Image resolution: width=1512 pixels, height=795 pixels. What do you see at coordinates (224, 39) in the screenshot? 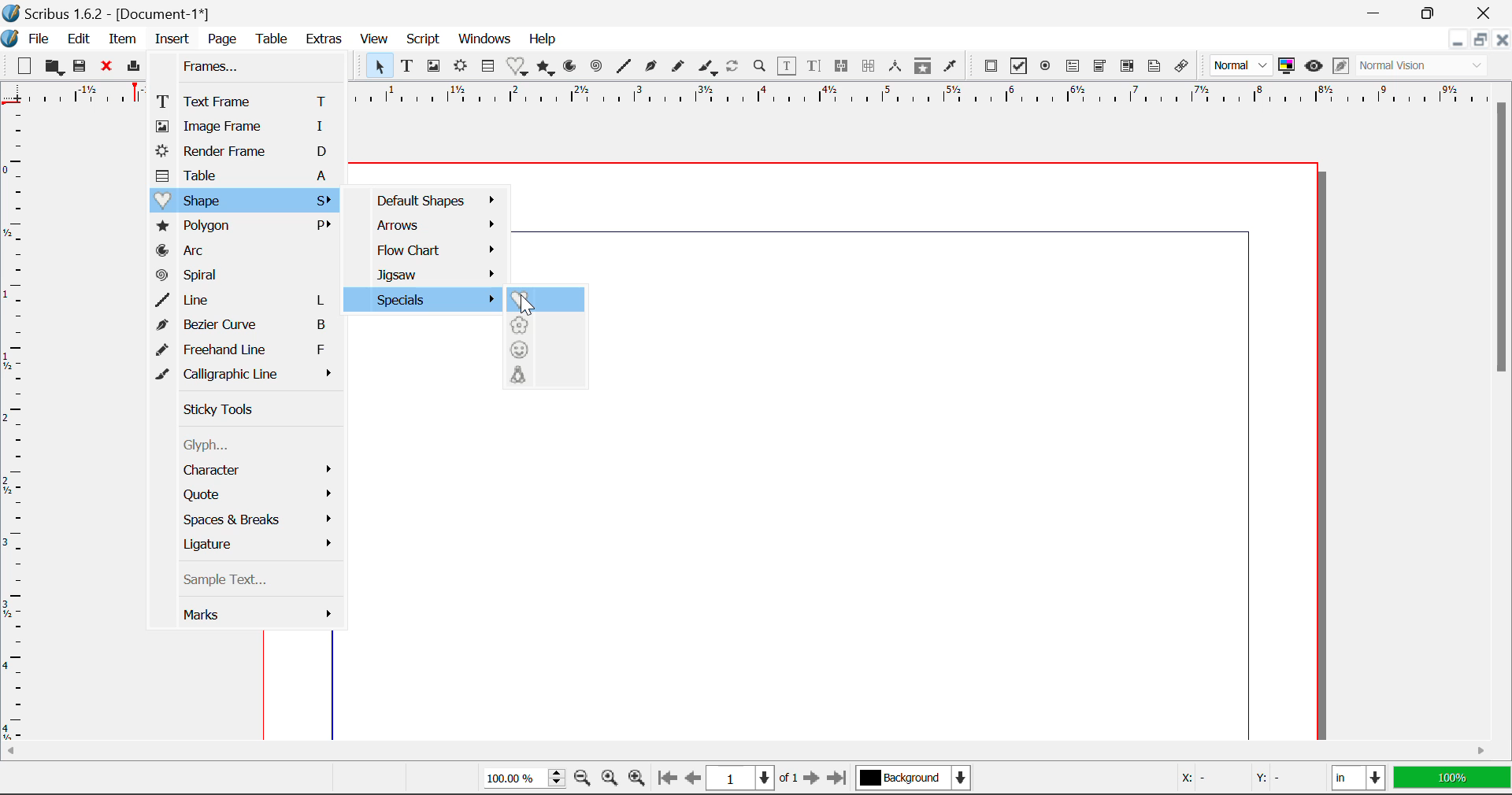
I see `Page` at bounding box center [224, 39].